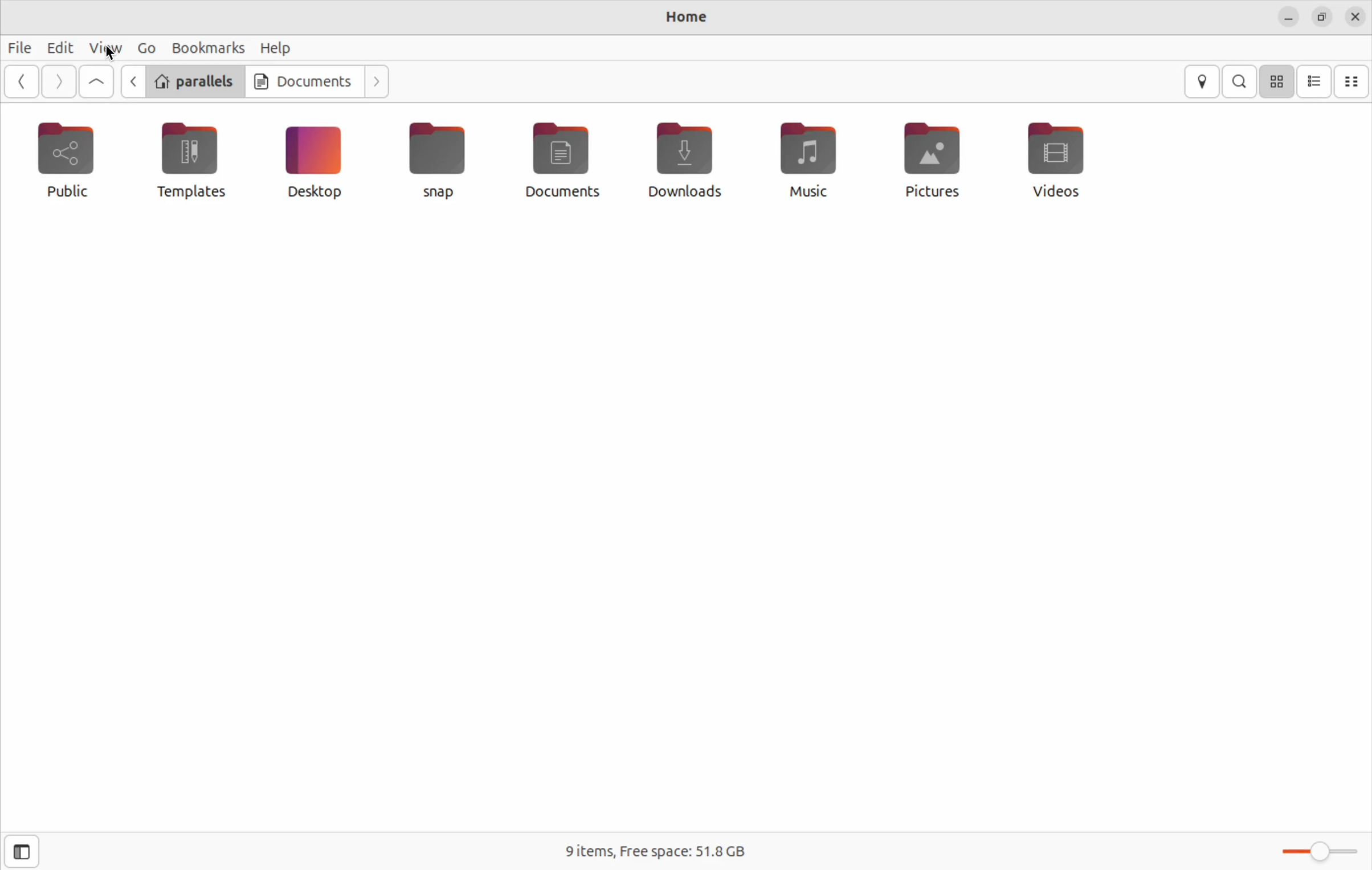 The image size is (1372, 870). I want to click on downloads, so click(685, 164).